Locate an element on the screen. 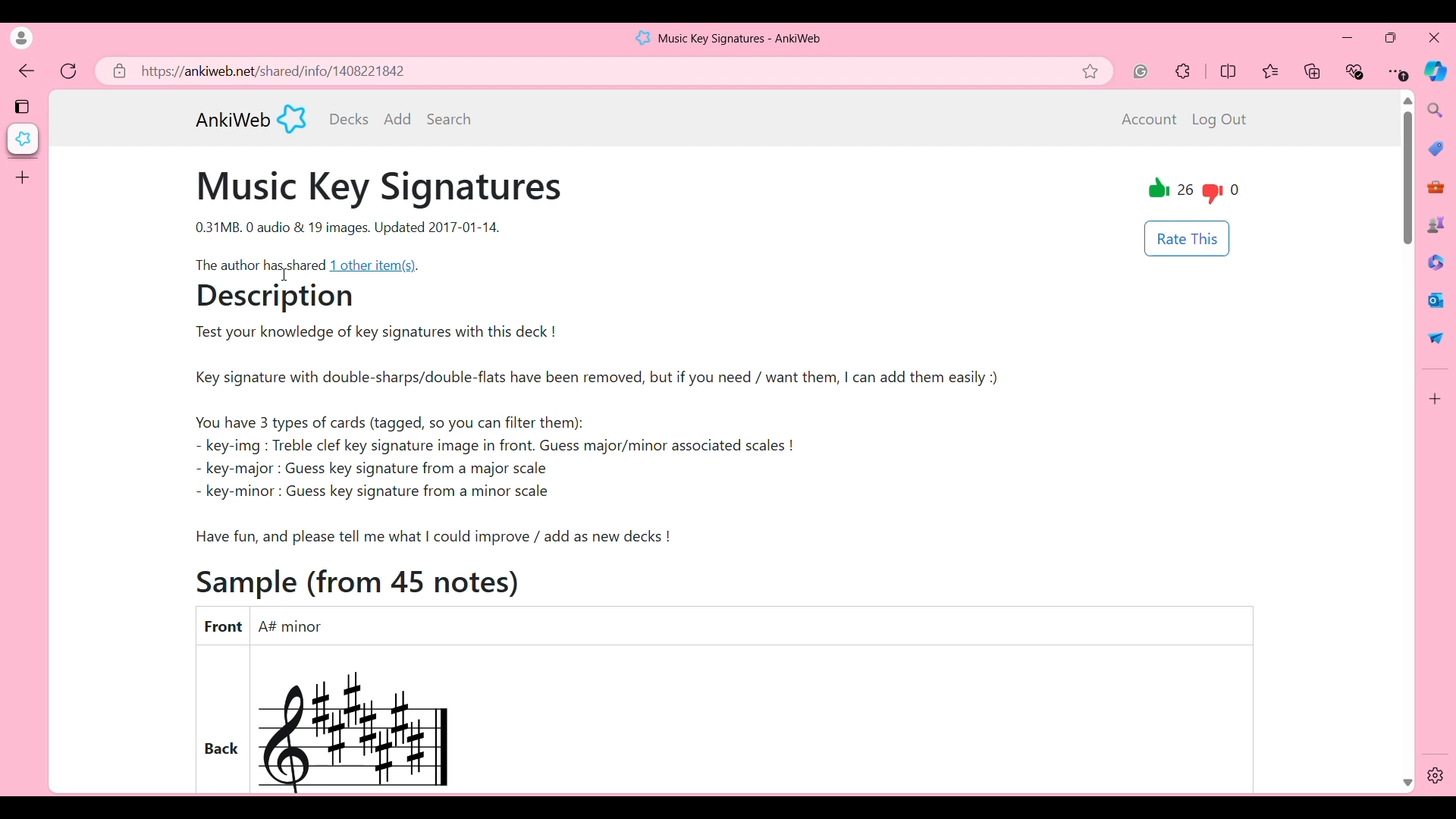  1 other item(s). is located at coordinates (378, 265).